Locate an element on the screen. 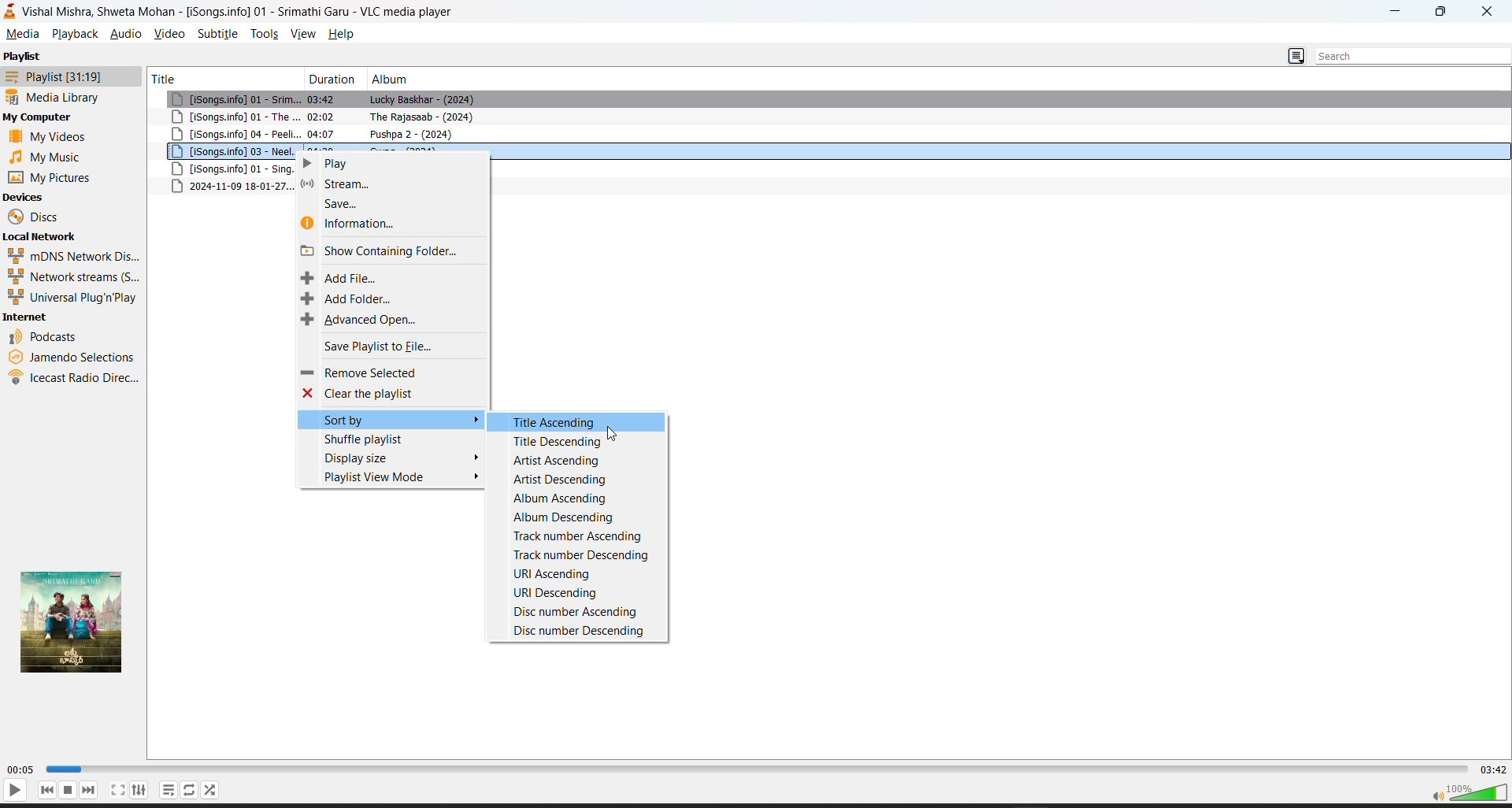 This screenshot has height=808, width=1512. maximize is located at coordinates (1443, 12).